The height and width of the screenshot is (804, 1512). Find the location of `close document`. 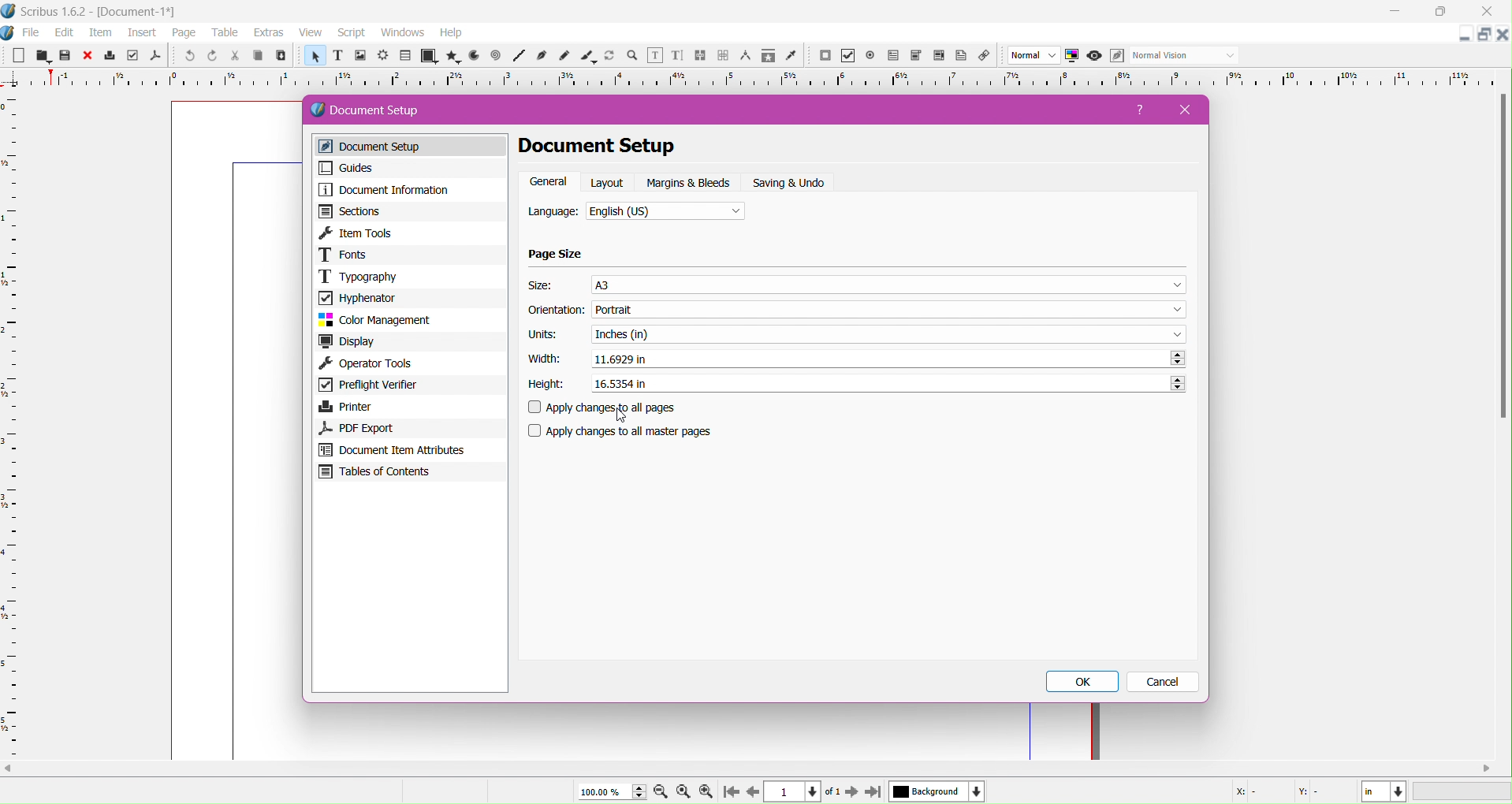

close document is located at coordinates (1503, 35).